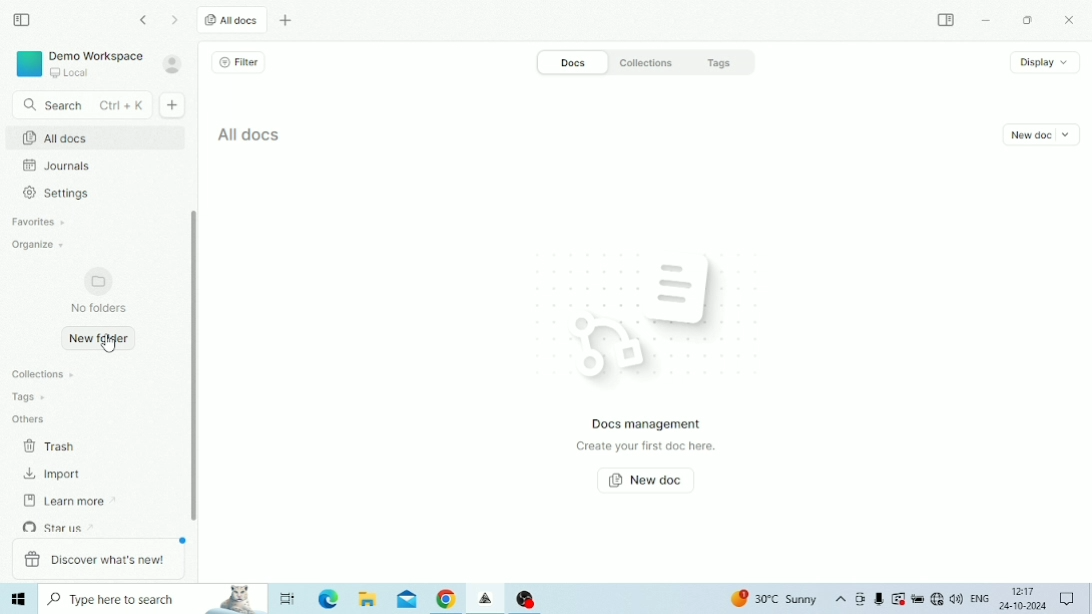 This screenshot has height=614, width=1092. I want to click on All docs, so click(252, 133).